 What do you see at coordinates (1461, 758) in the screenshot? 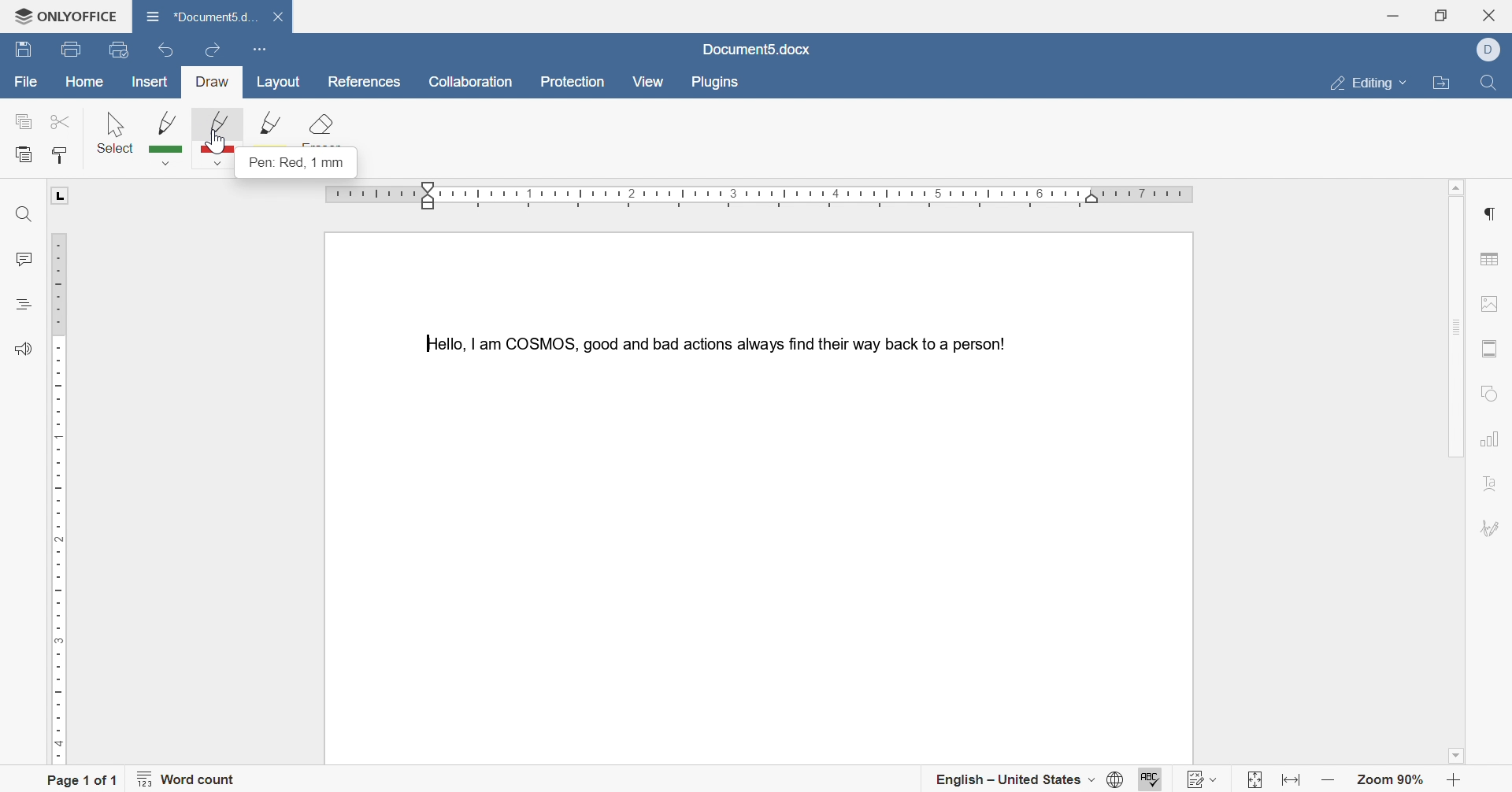
I see `scroll down` at bounding box center [1461, 758].